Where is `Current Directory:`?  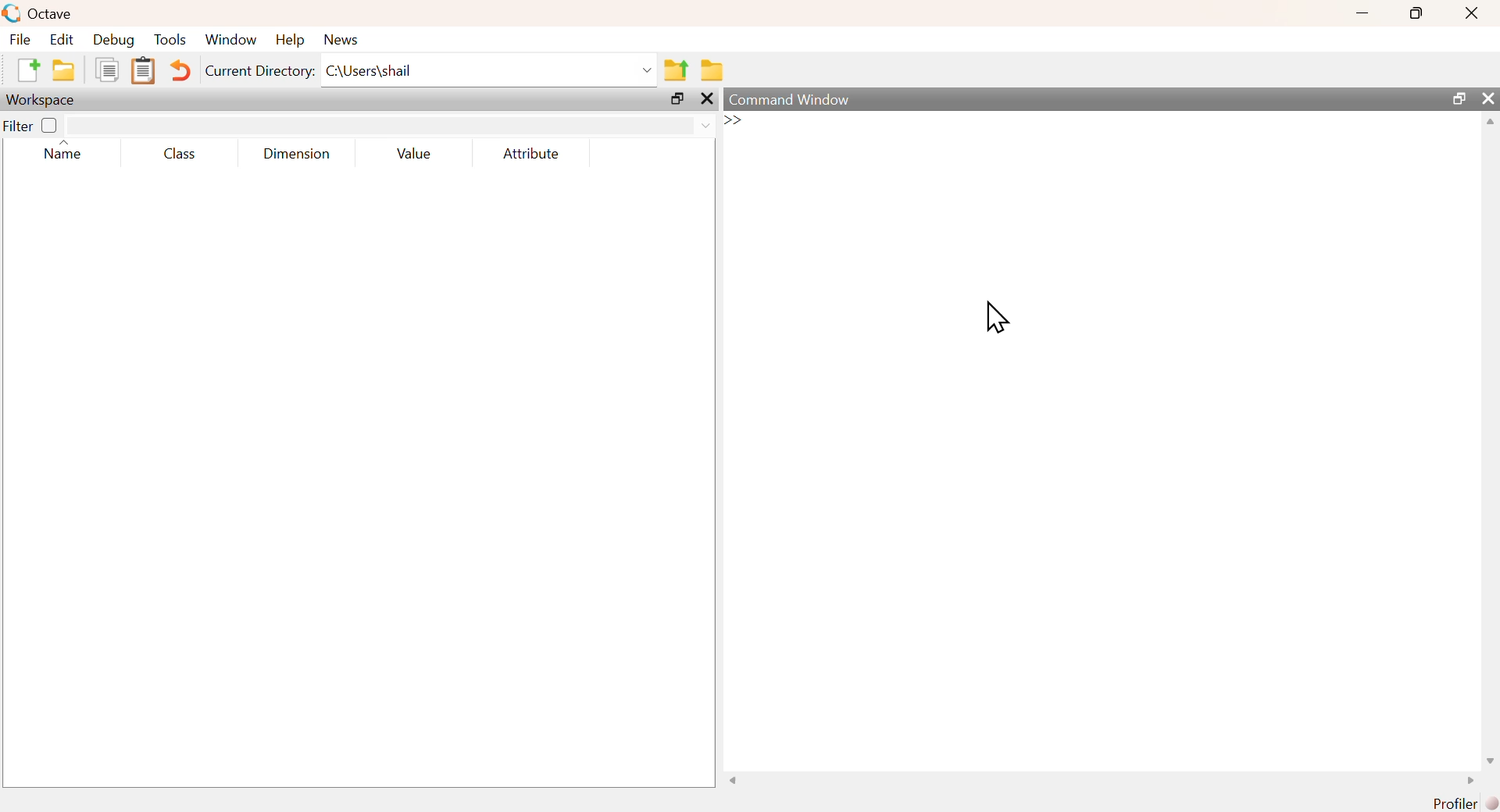
Current Directory: is located at coordinates (261, 72).